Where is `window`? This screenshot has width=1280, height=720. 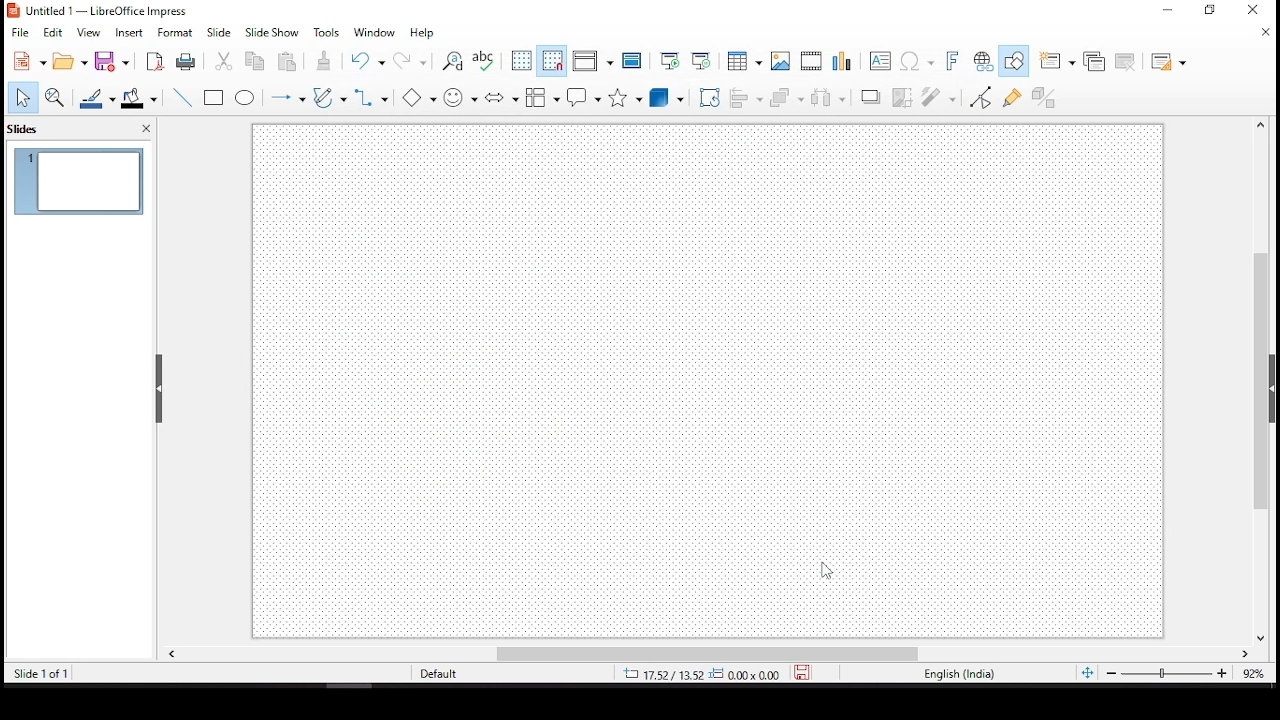
window is located at coordinates (371, 32).